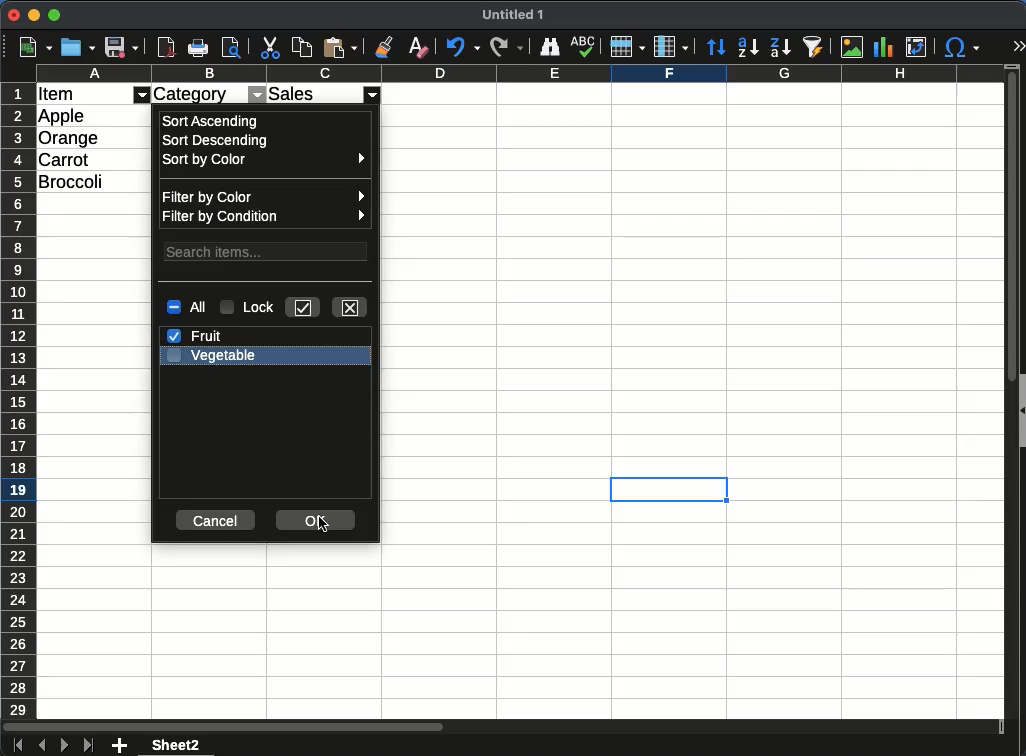 The width and height of the screenshot is (1026, 756). What do you see at coordinates (314, 521) in the screenshot?
I see `ok` at bounding box center [314, 521].